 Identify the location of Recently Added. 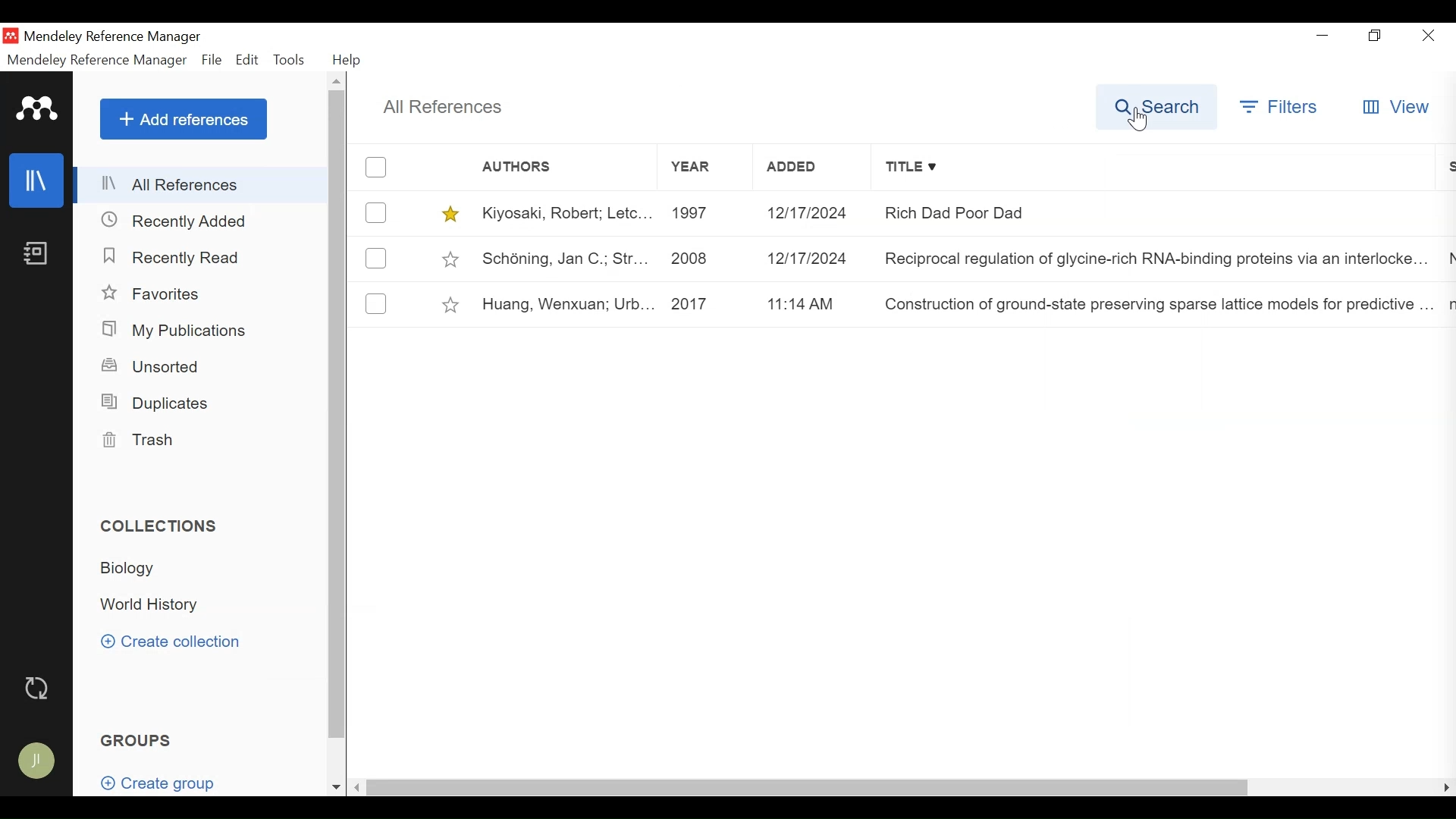
(180, 221).